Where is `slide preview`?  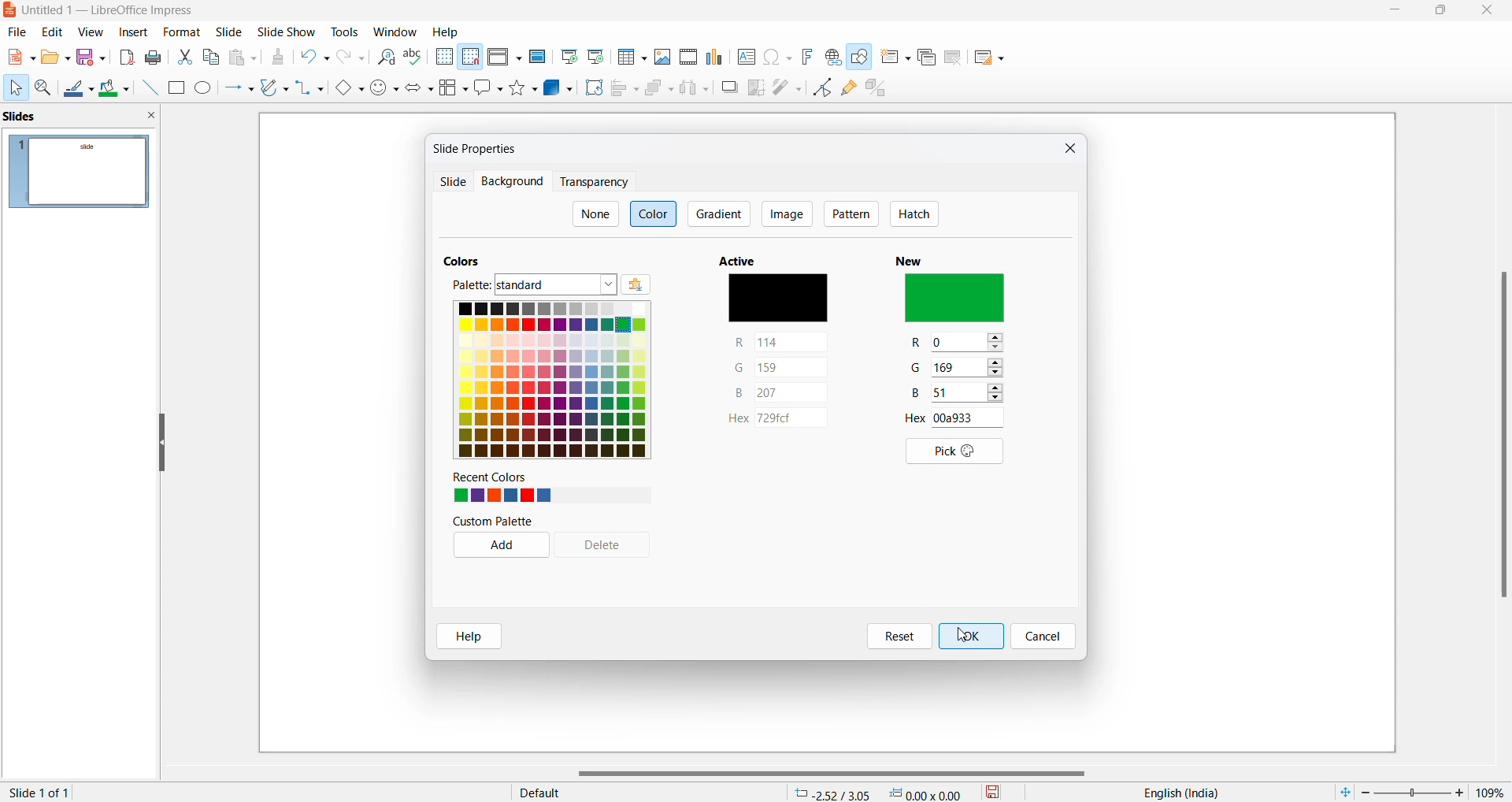
slide preview is located at coordinates (81, 172).